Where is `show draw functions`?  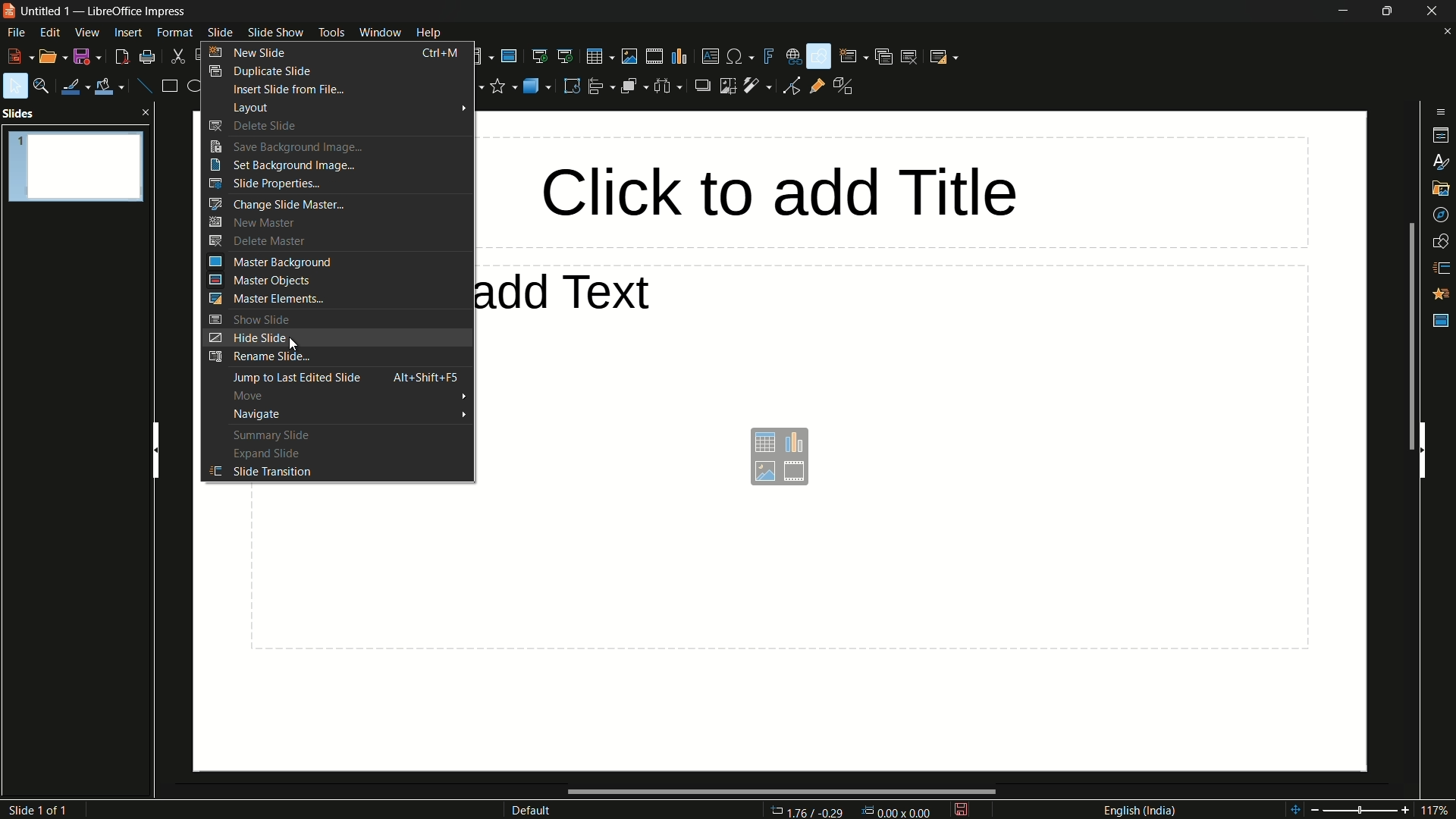
show draw functions is located at coordinates (818, 56).